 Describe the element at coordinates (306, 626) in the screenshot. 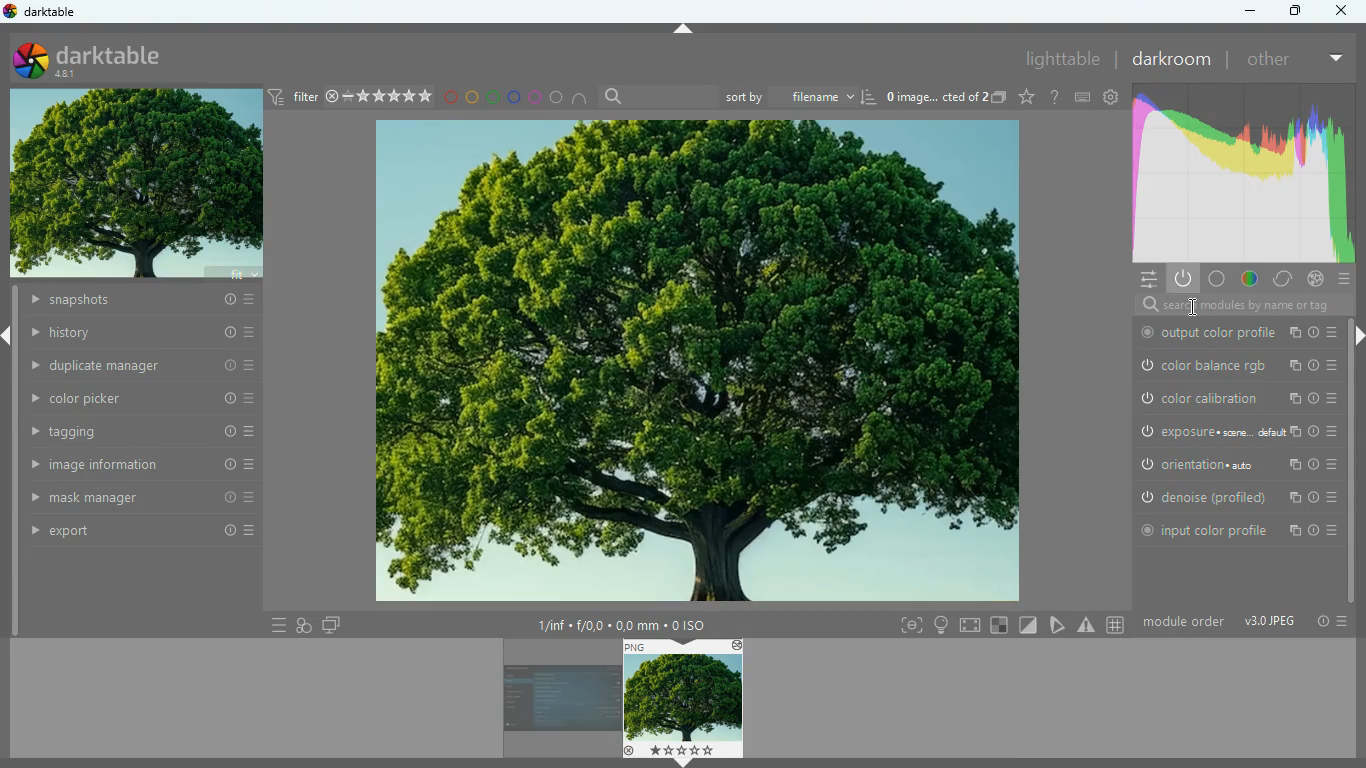

I see `overlap` at that location.